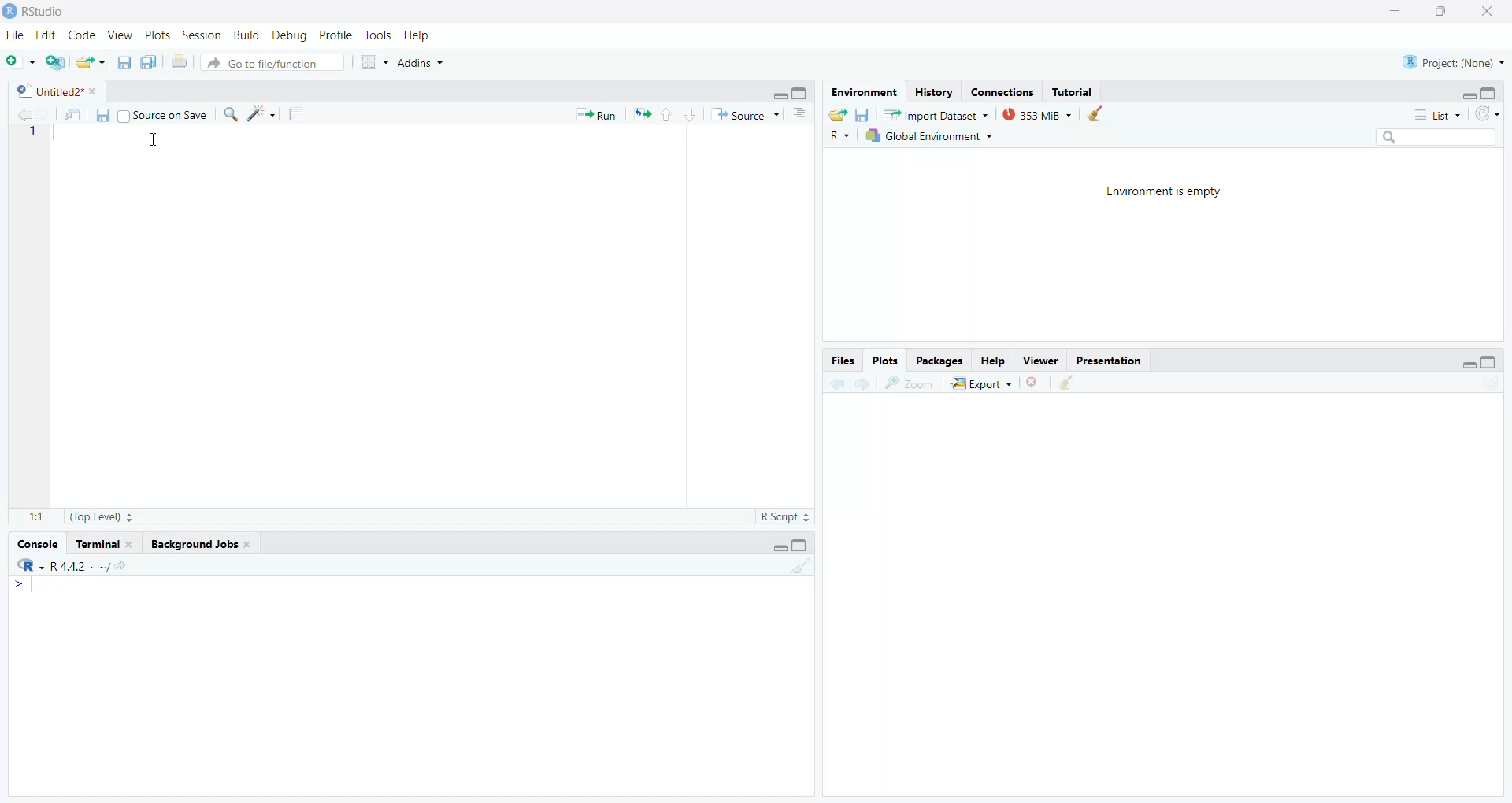 This screenshot has width=1512, height=803. I want to click on go to previous section/chunk, so click(669, 115).